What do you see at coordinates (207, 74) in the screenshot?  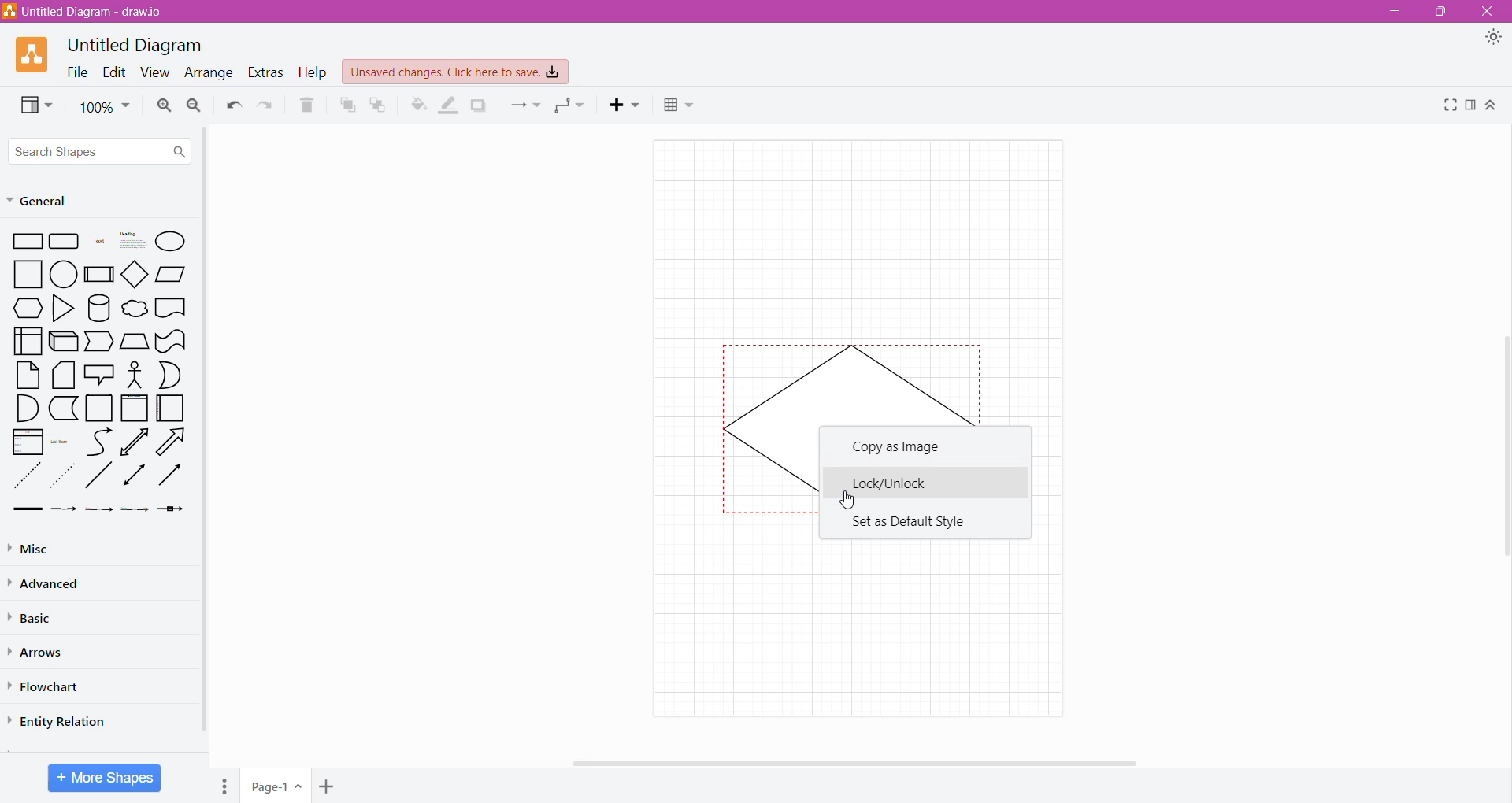 I see `Arrange` at bounding box center [207, 74].